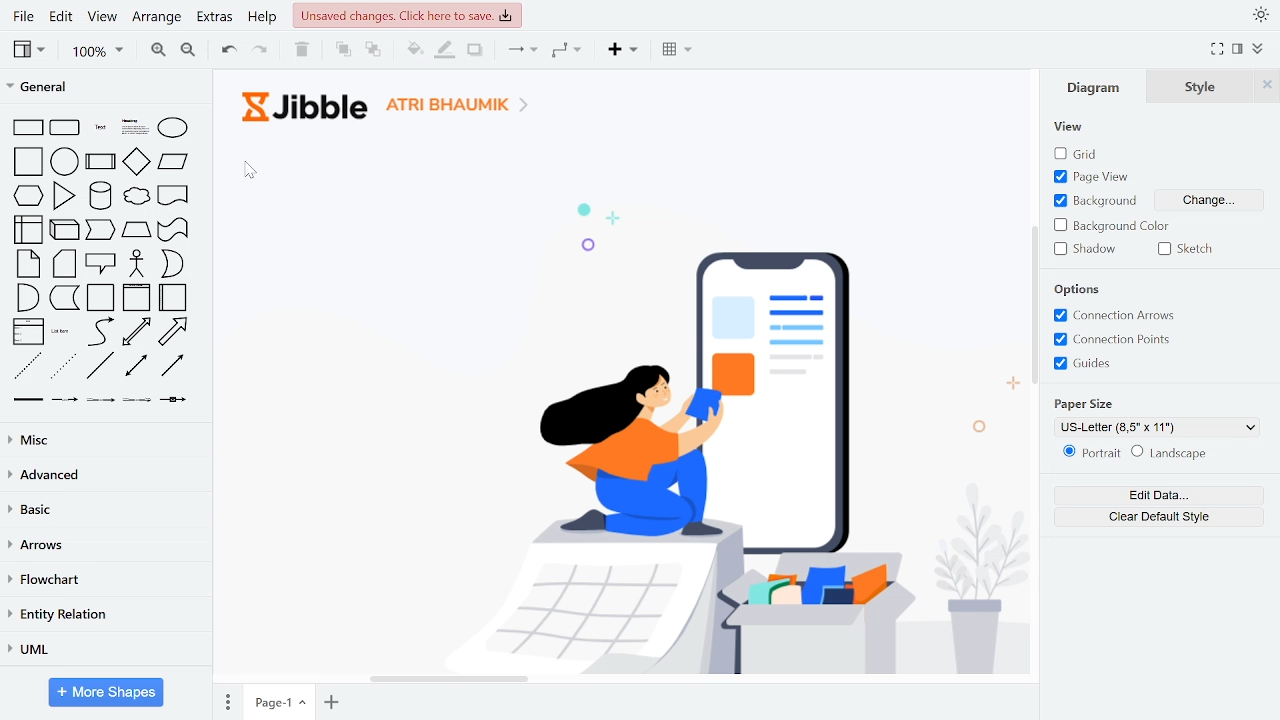  What do you see at coordinates (95, 125) in the screenshot?
I see `general shapes` at bounding box center [95, 125].